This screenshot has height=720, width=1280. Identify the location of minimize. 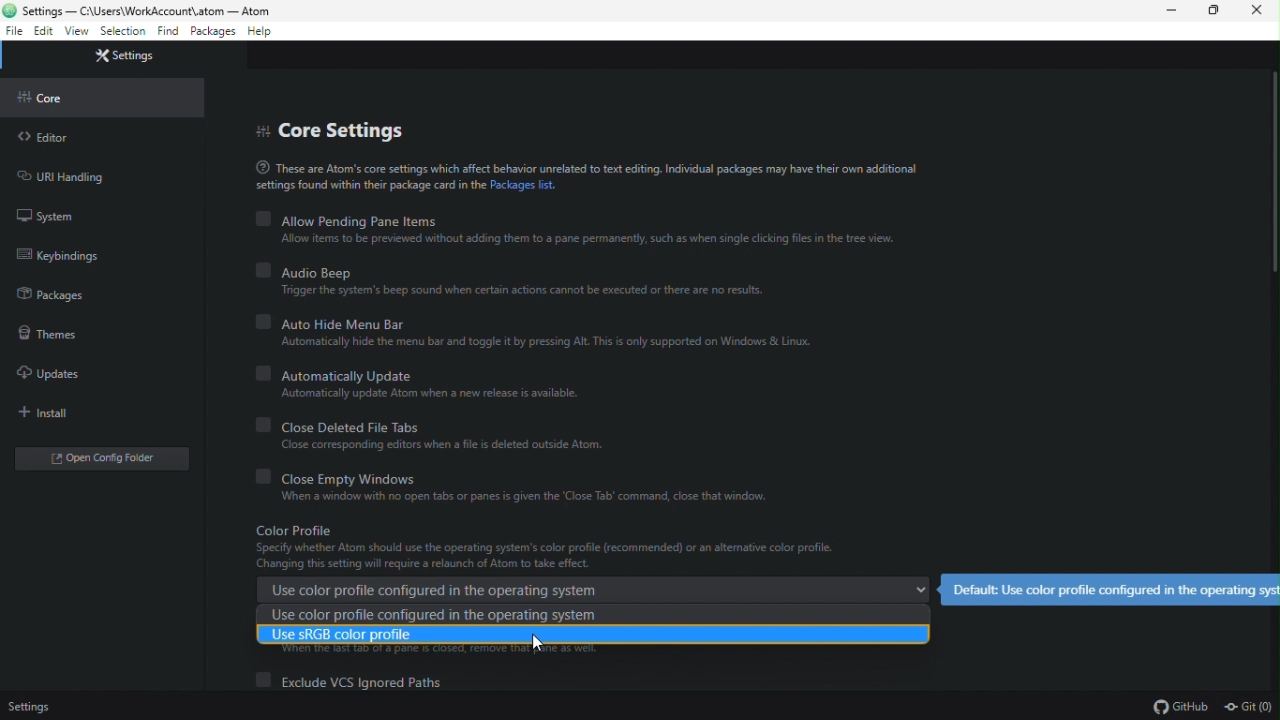
(1171, 13).